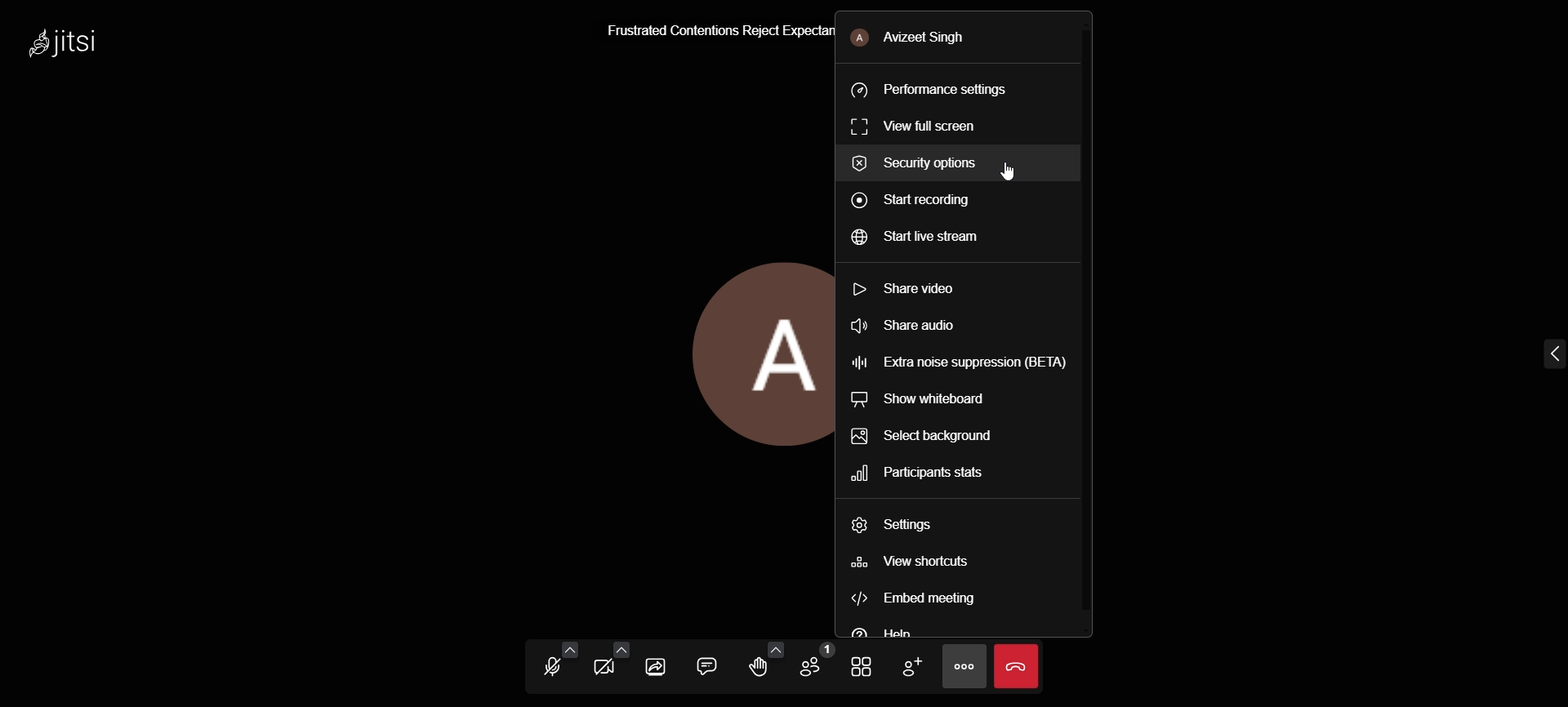 This screenshot has height=707, width=1568. Describe the element at coordinates (884, 629) in the screenshot. I see `help` at that location.